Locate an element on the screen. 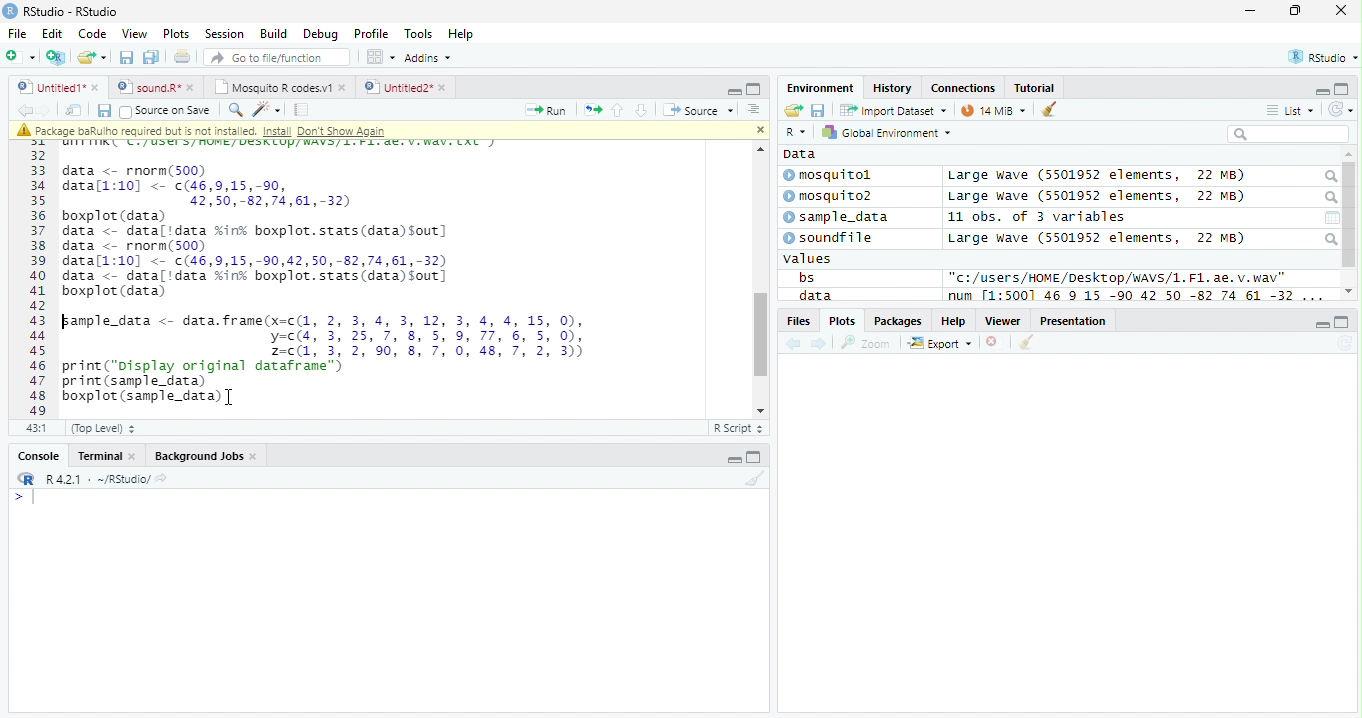 The width and height of the screenshot is (1362, 718). Refresh is located at coordinates (1341, 110).